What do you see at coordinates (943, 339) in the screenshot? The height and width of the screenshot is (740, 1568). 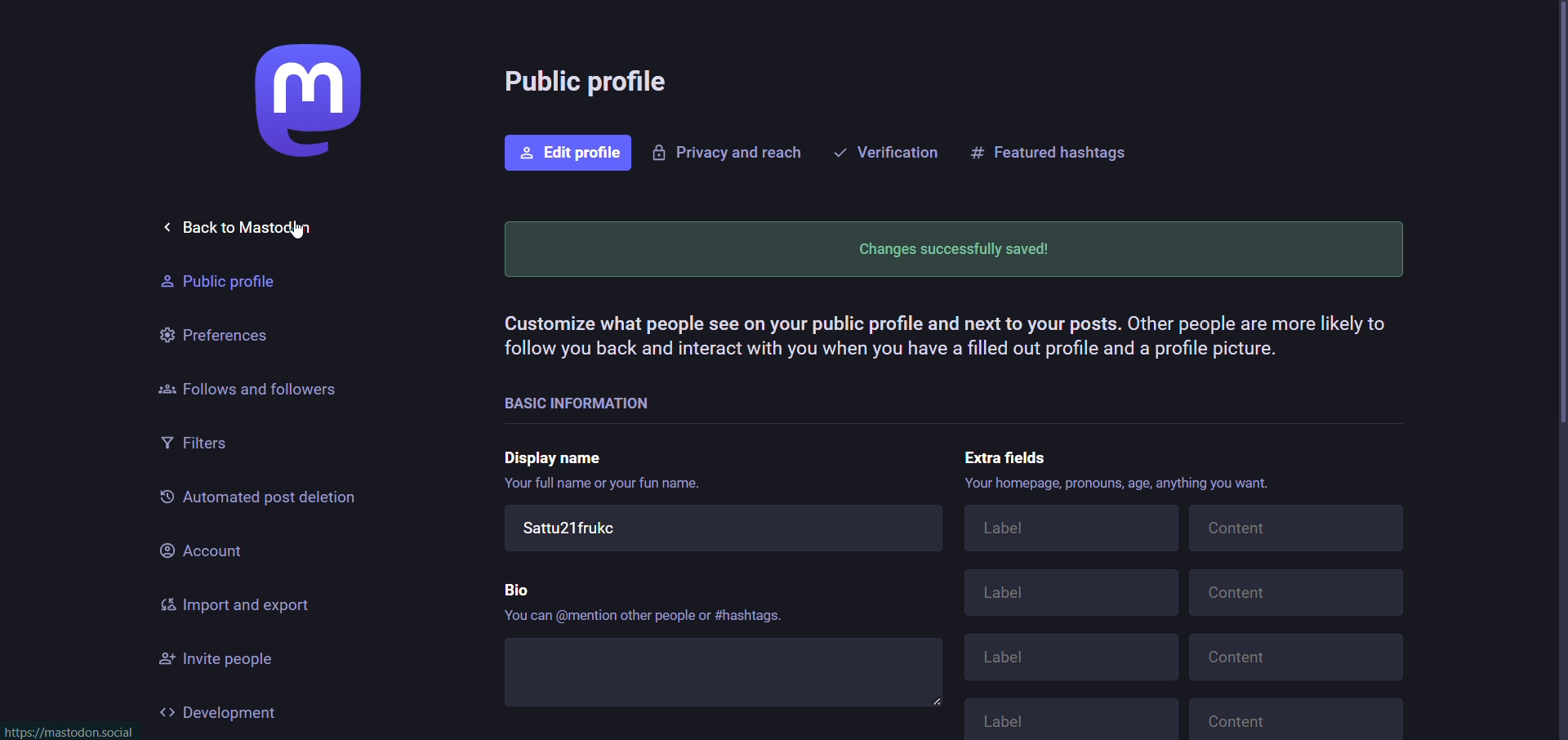 I see `Customize what people see on your public profile and next to your posts. Other people are more likely to
follow you back and interact with you when you have a filled out profile and a profile picture.` at bounding box center [943, 339].